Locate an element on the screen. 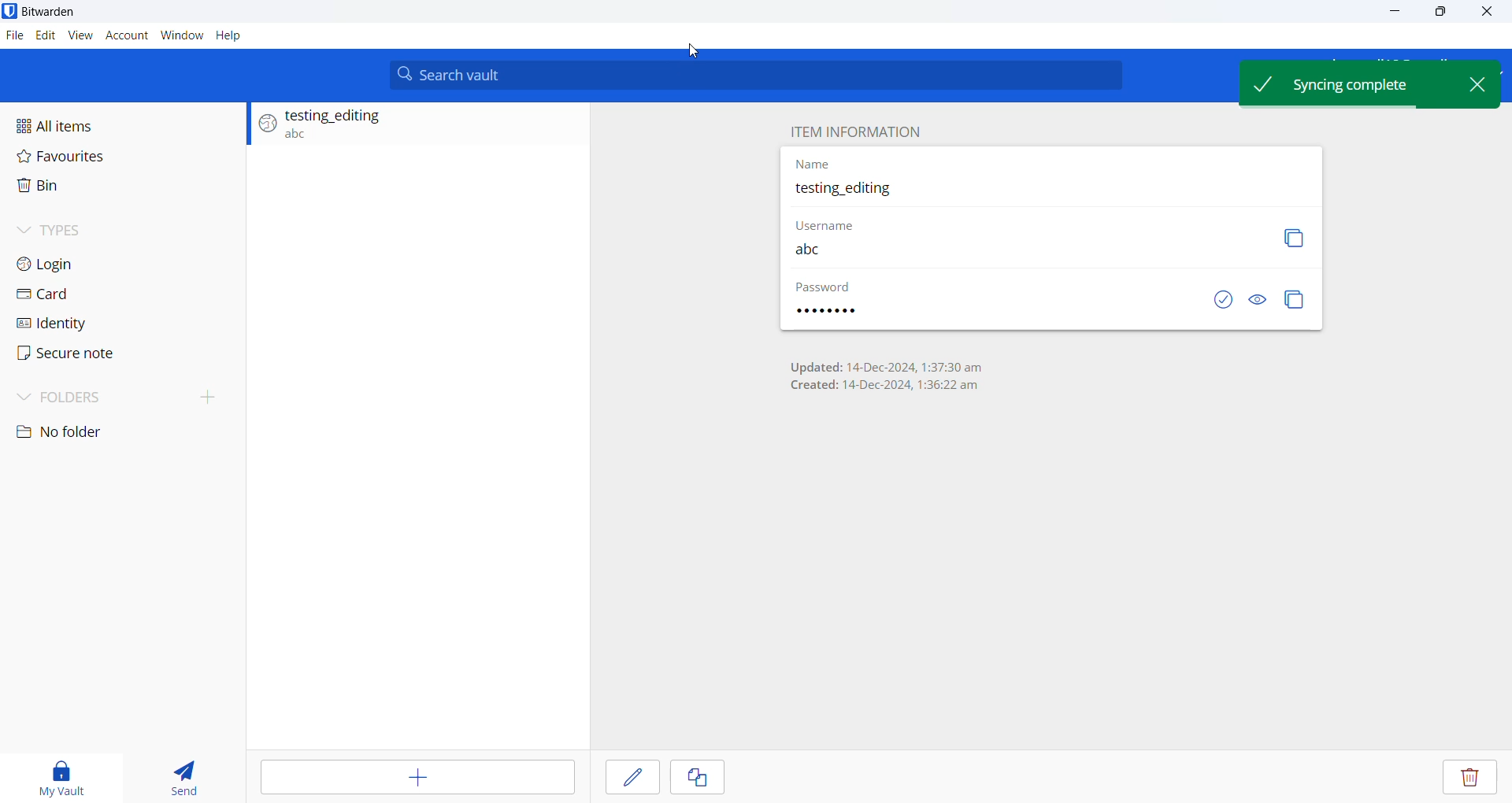  send is located at coordinates (186, 774).